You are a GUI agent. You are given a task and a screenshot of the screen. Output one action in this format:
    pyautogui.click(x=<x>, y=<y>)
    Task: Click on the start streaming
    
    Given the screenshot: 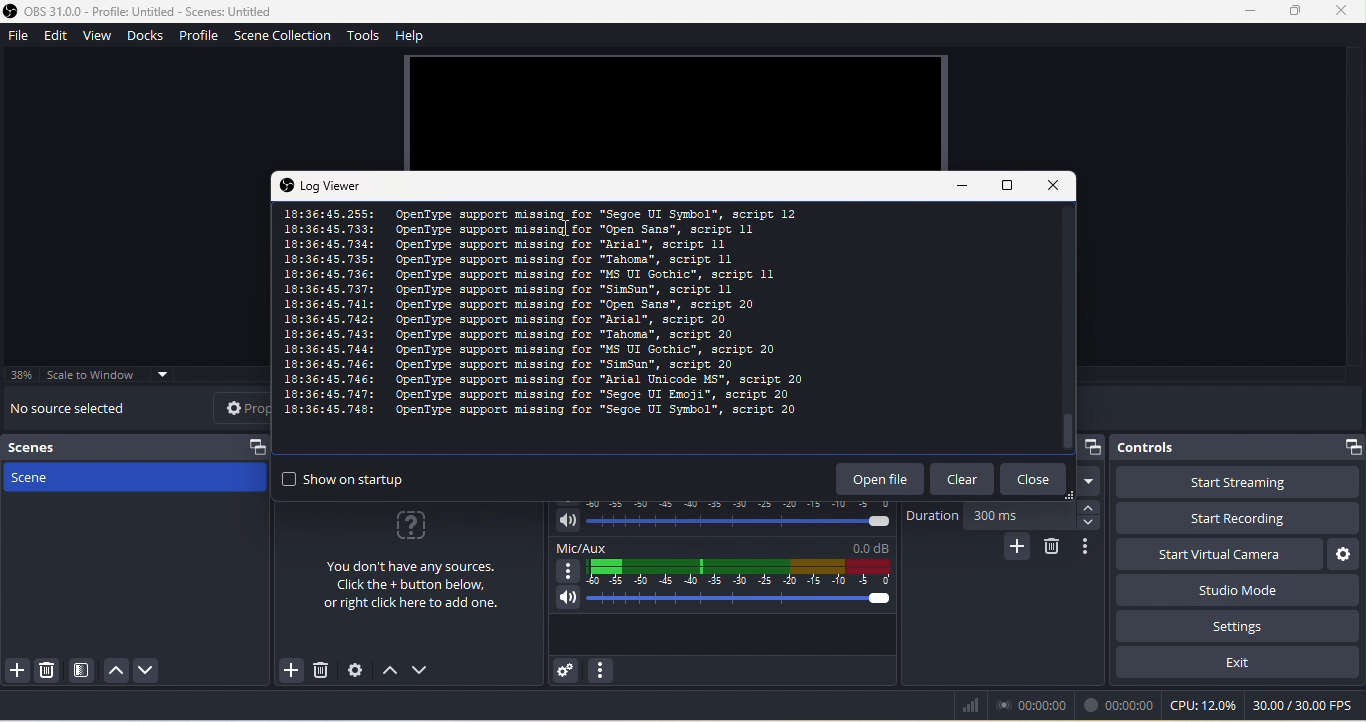 What is the action you would take?
    pyautogui.click(x=1239, y=482)
    